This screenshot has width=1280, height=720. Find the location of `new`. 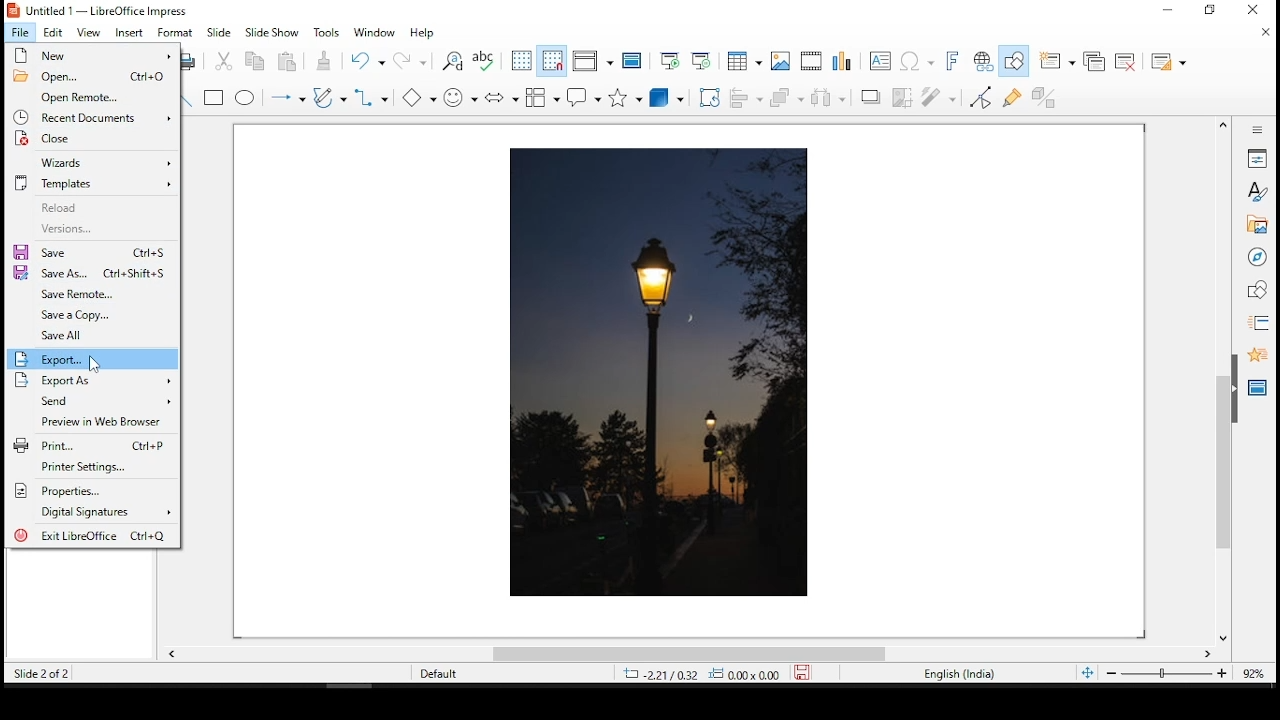

new is located at coordinates (91, 56).